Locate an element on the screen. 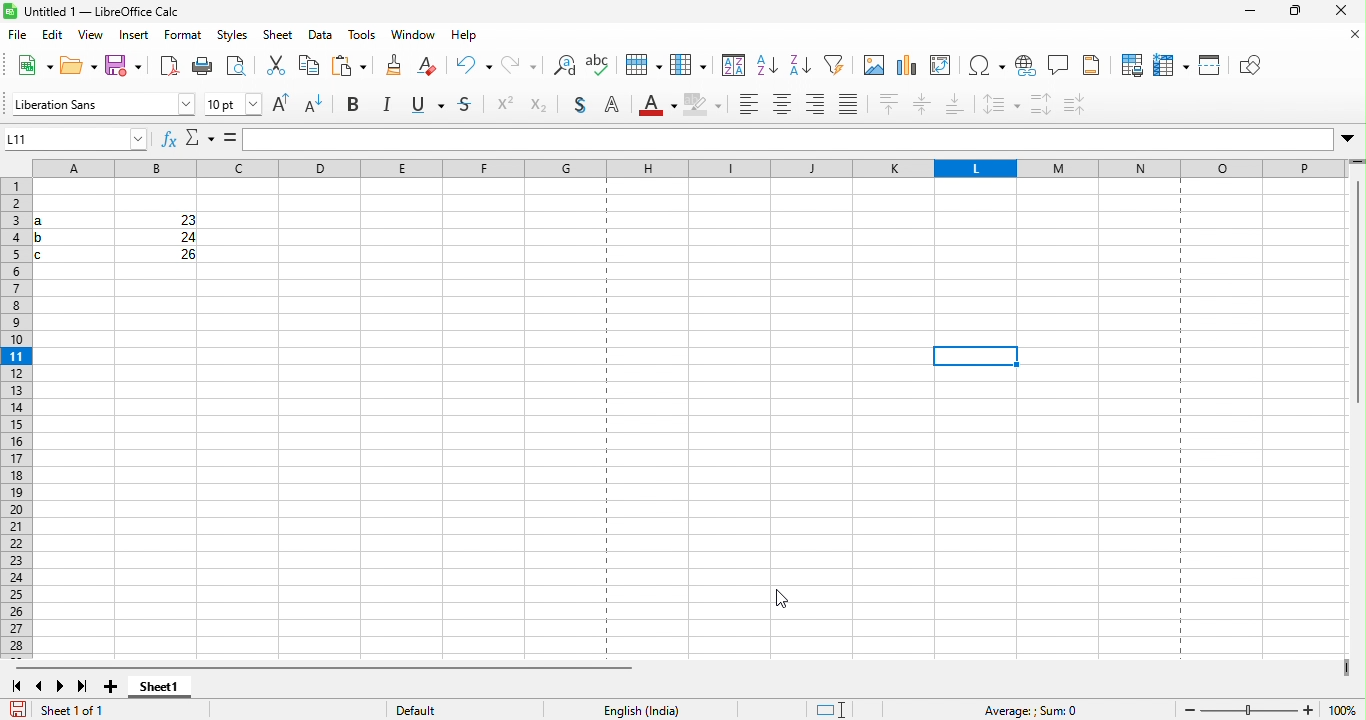  column headings is located at coordinates (691, 170).